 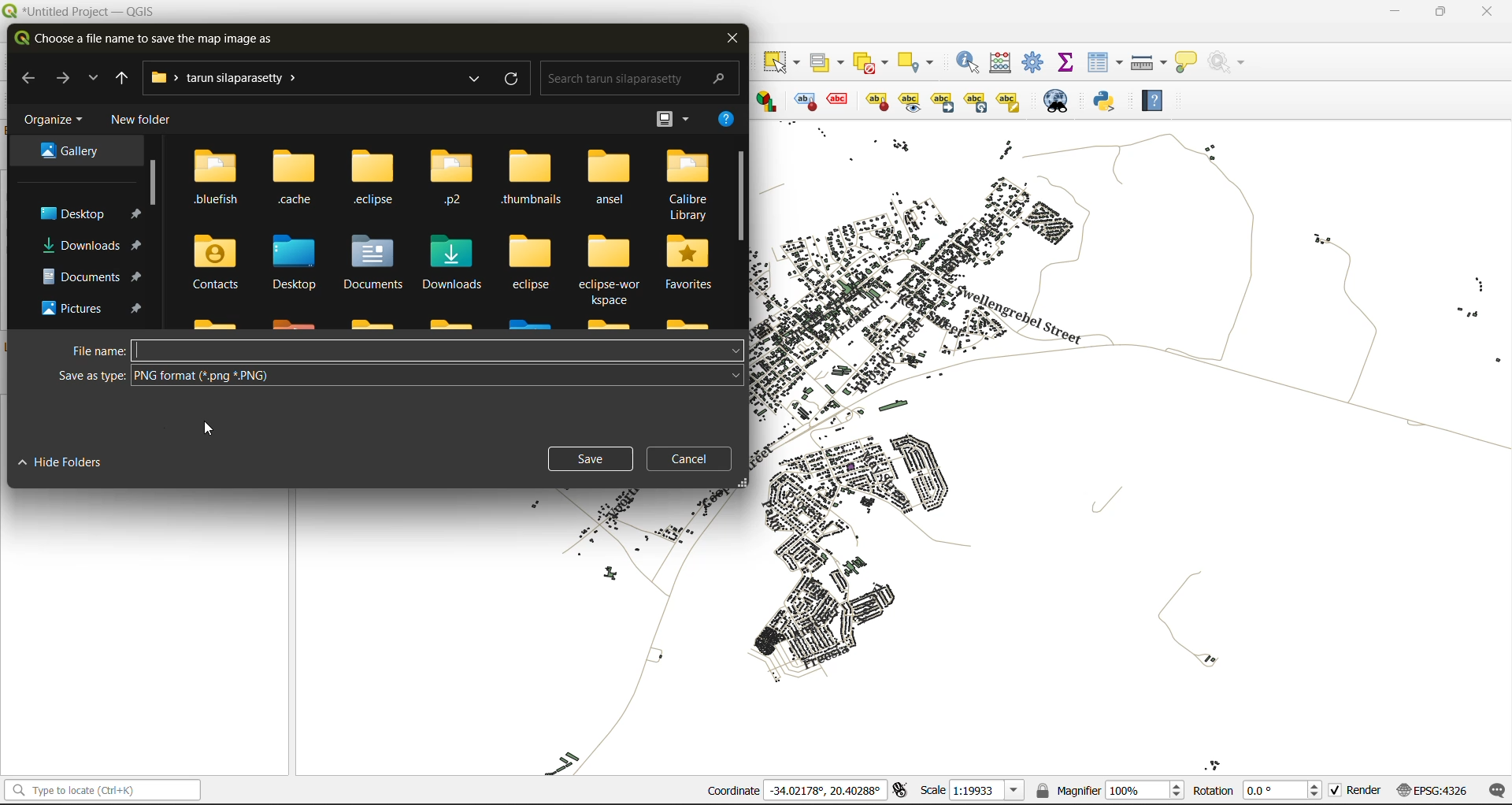 I want to click on Move a label, diagrams or callout, so click(x=943, y=101).